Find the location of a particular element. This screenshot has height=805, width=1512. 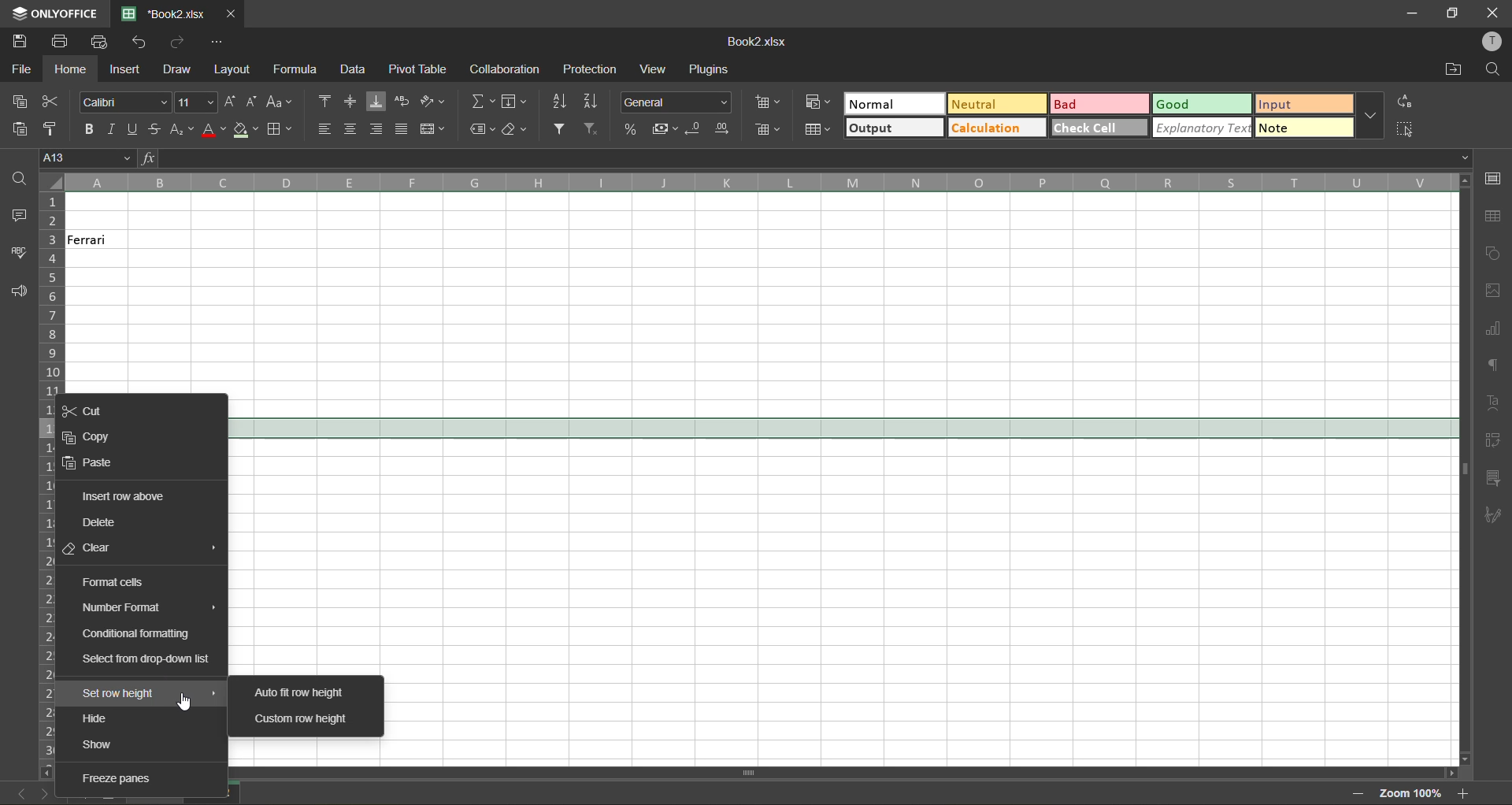

hide is located at coordinates (95, 719).